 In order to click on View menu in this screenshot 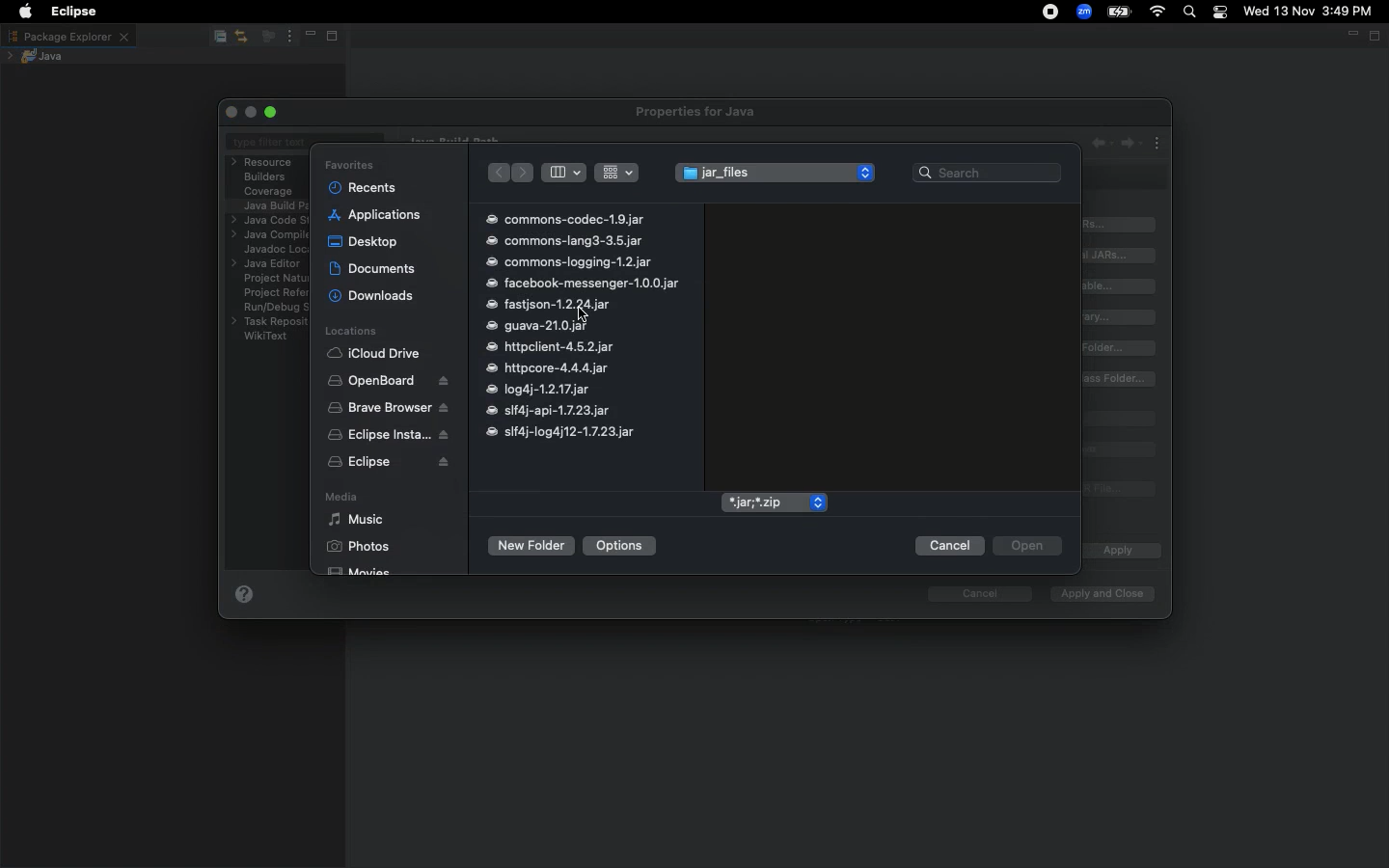, I will do `click(287, 37)`.